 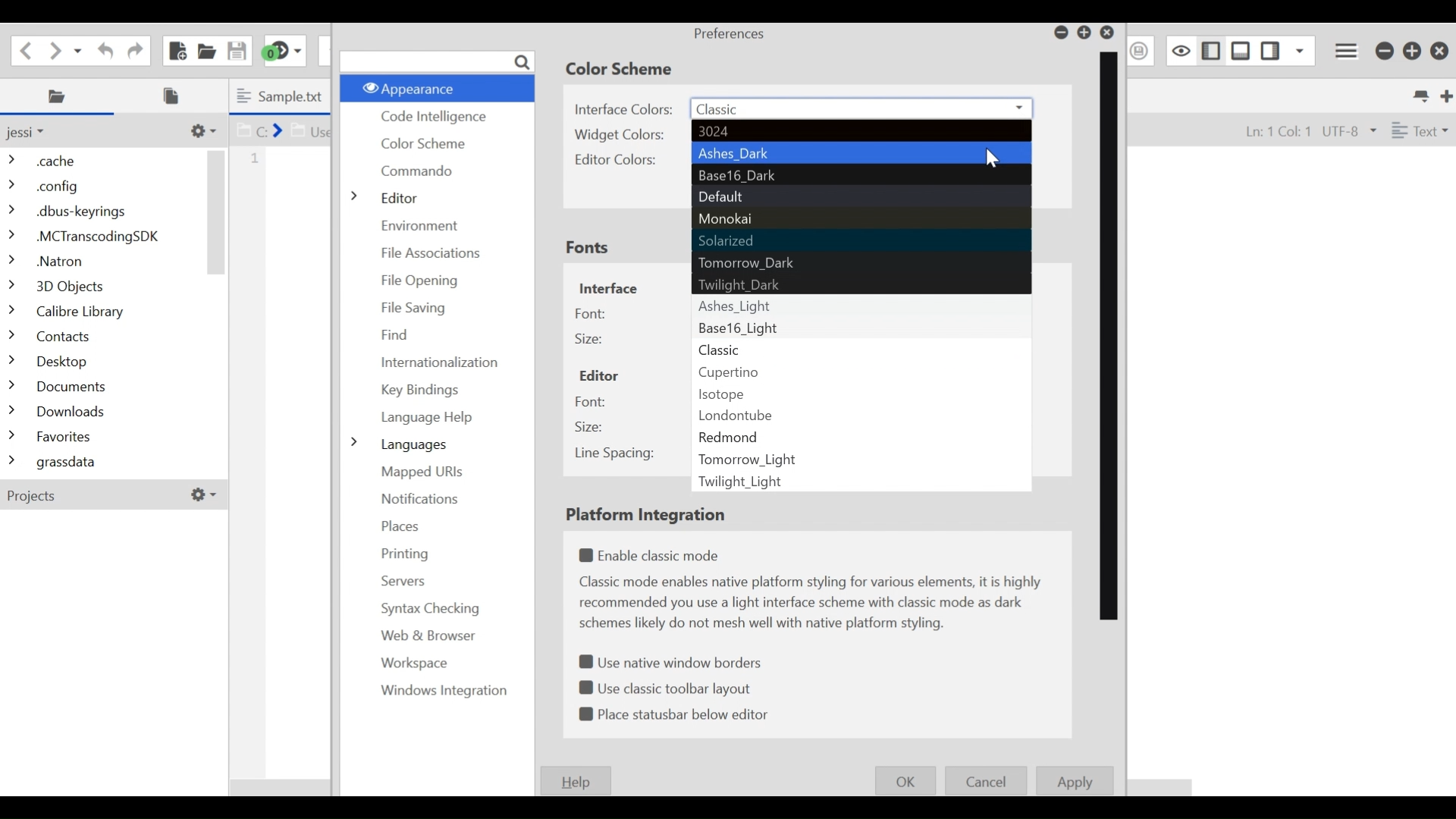 I want to click on classic, so click(x=859, y=347).